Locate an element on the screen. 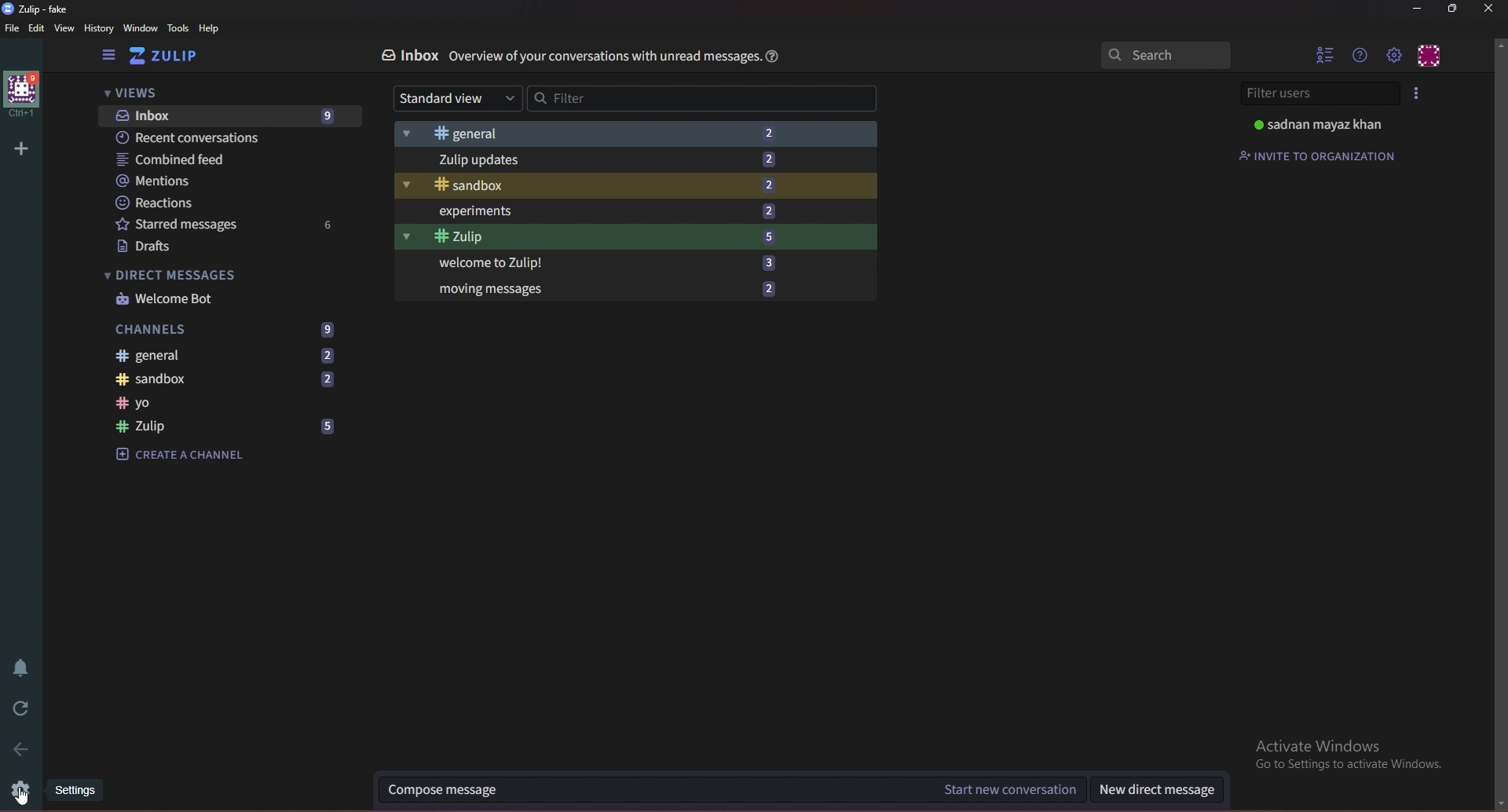 The image size is (1508, 812). Hide left sidebar is located at coordinates (110, 56).